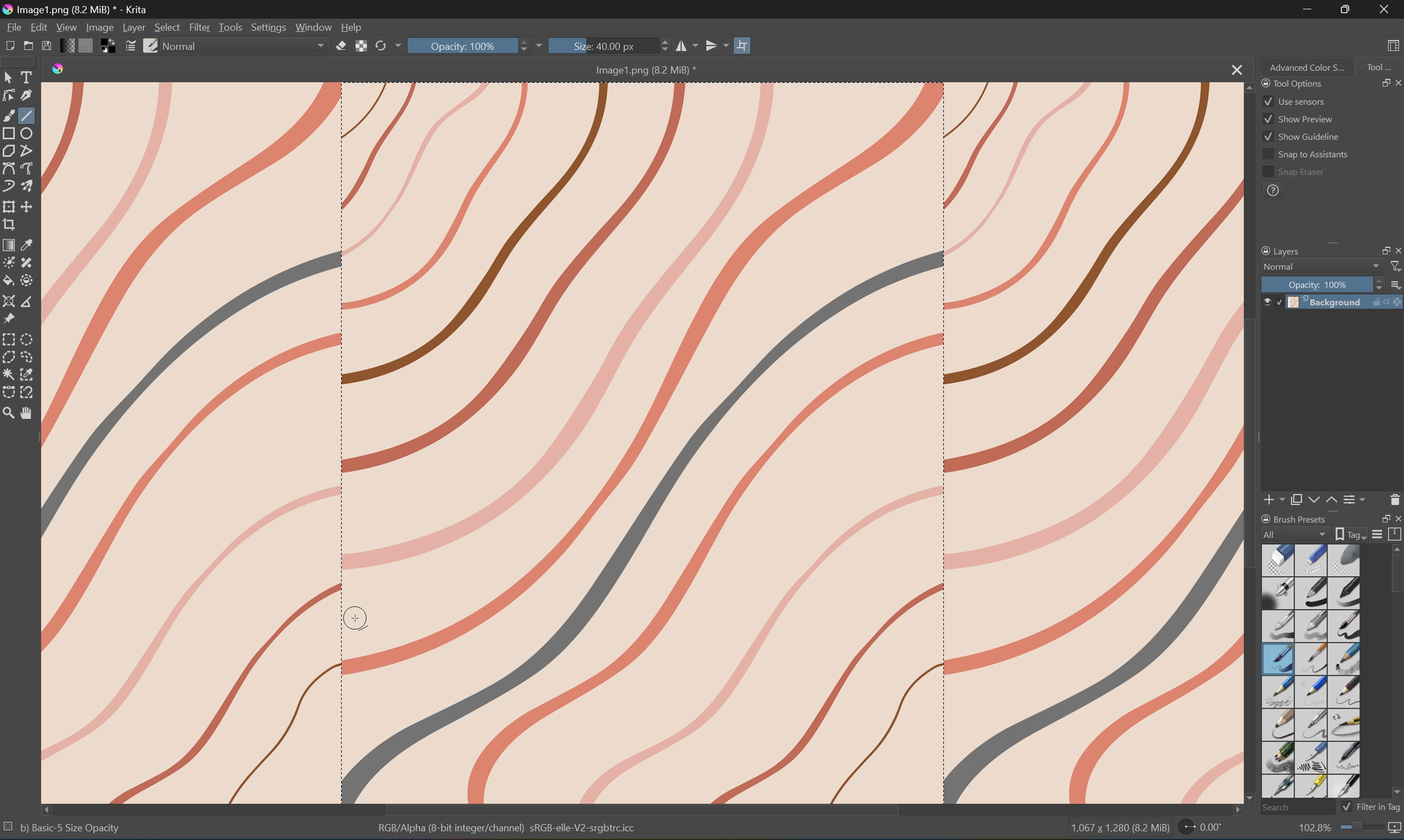  Describe the element at coordinates (1375, 267) in the screenshot. I see `Drop Down` at that location.